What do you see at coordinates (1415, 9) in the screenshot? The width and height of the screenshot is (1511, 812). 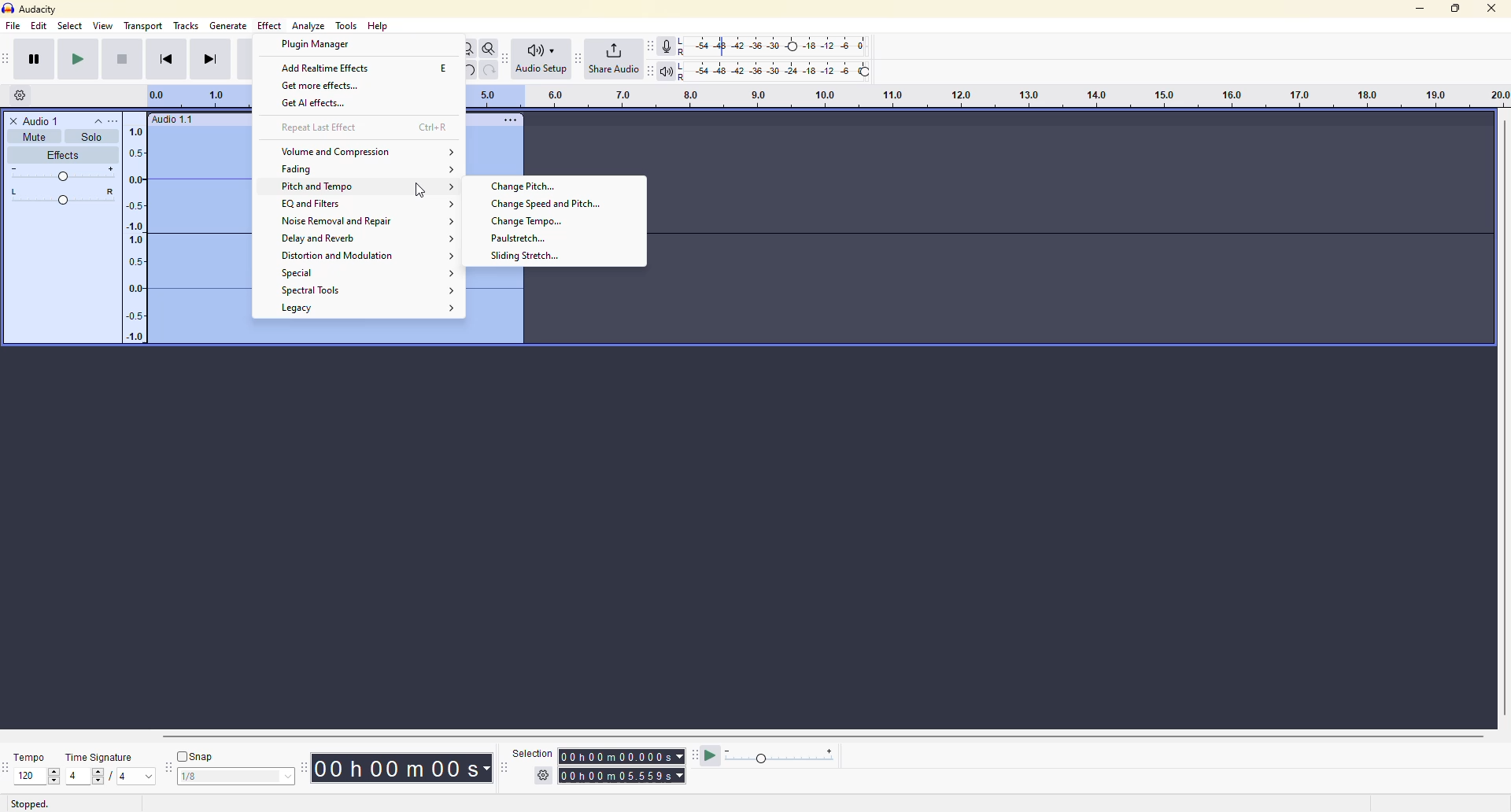 I see `minimize` at bounding box center [1415, 9].